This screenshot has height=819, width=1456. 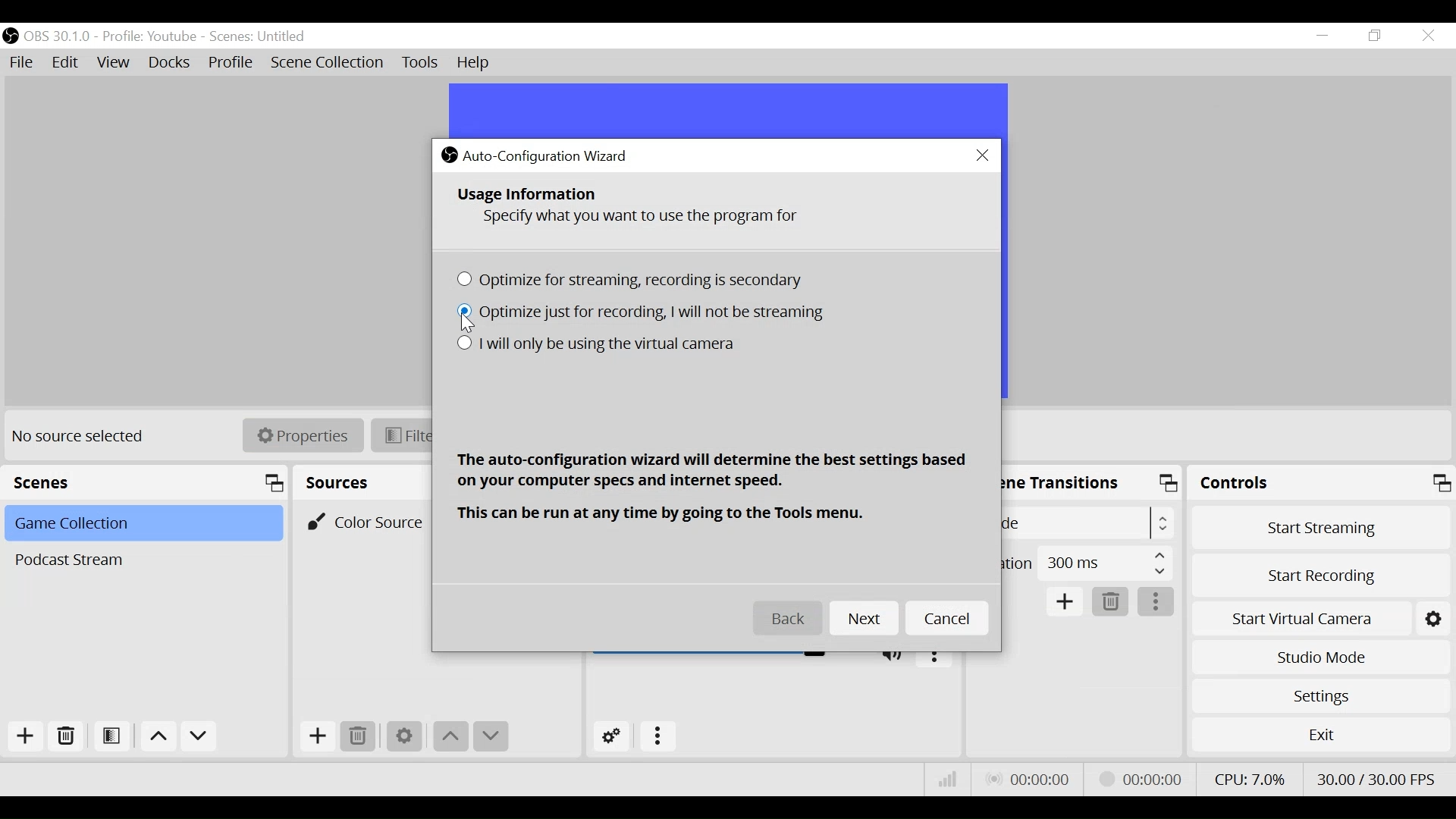 What do you see at coordinates (111, 736) in the screenshot?
I see `Open Scene Filter` at bounding box center [111, 736].